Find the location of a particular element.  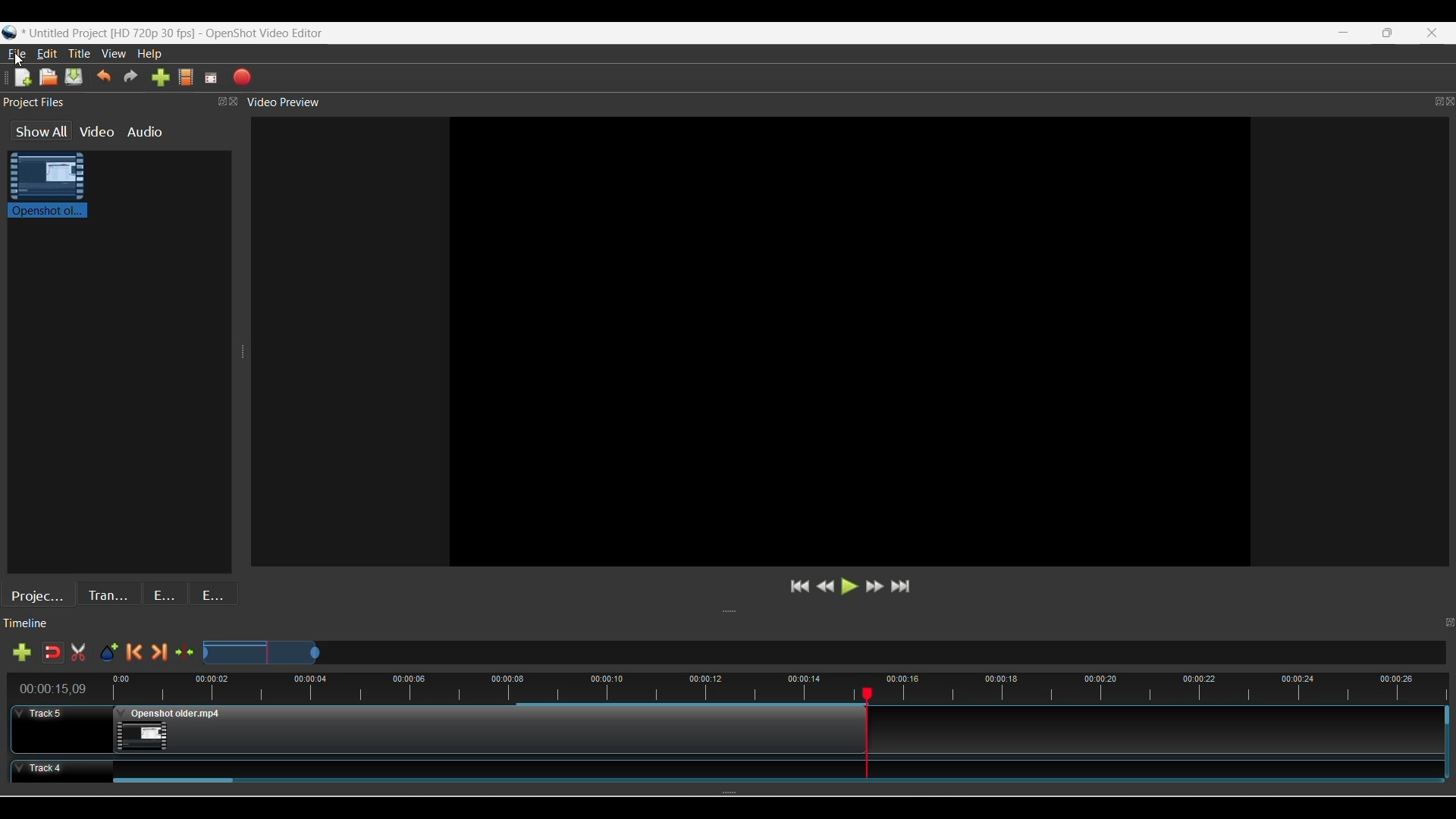

New file is located at coordinates (23, 77).